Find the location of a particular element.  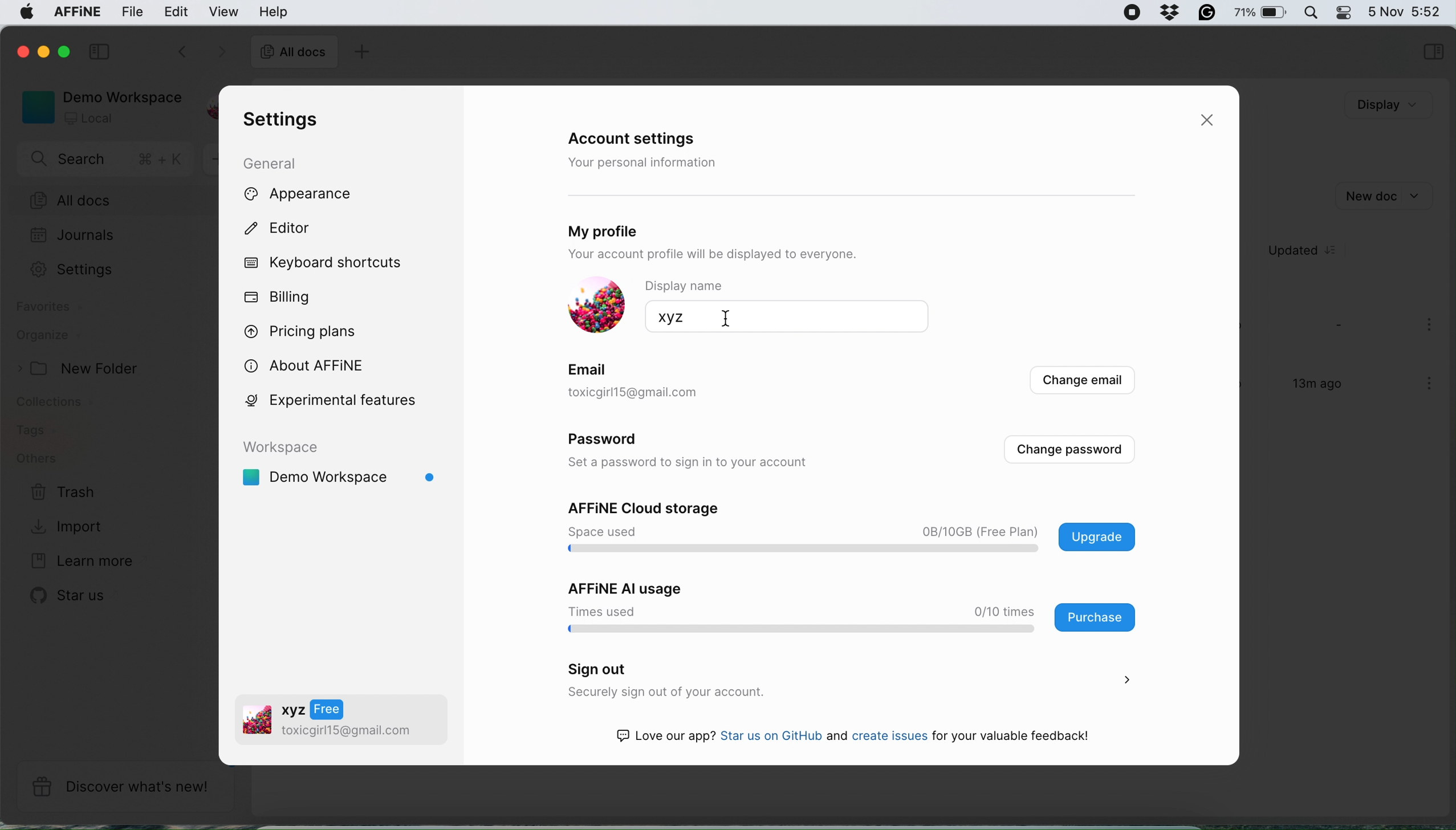

Display is located at coordinates (1370, 105).